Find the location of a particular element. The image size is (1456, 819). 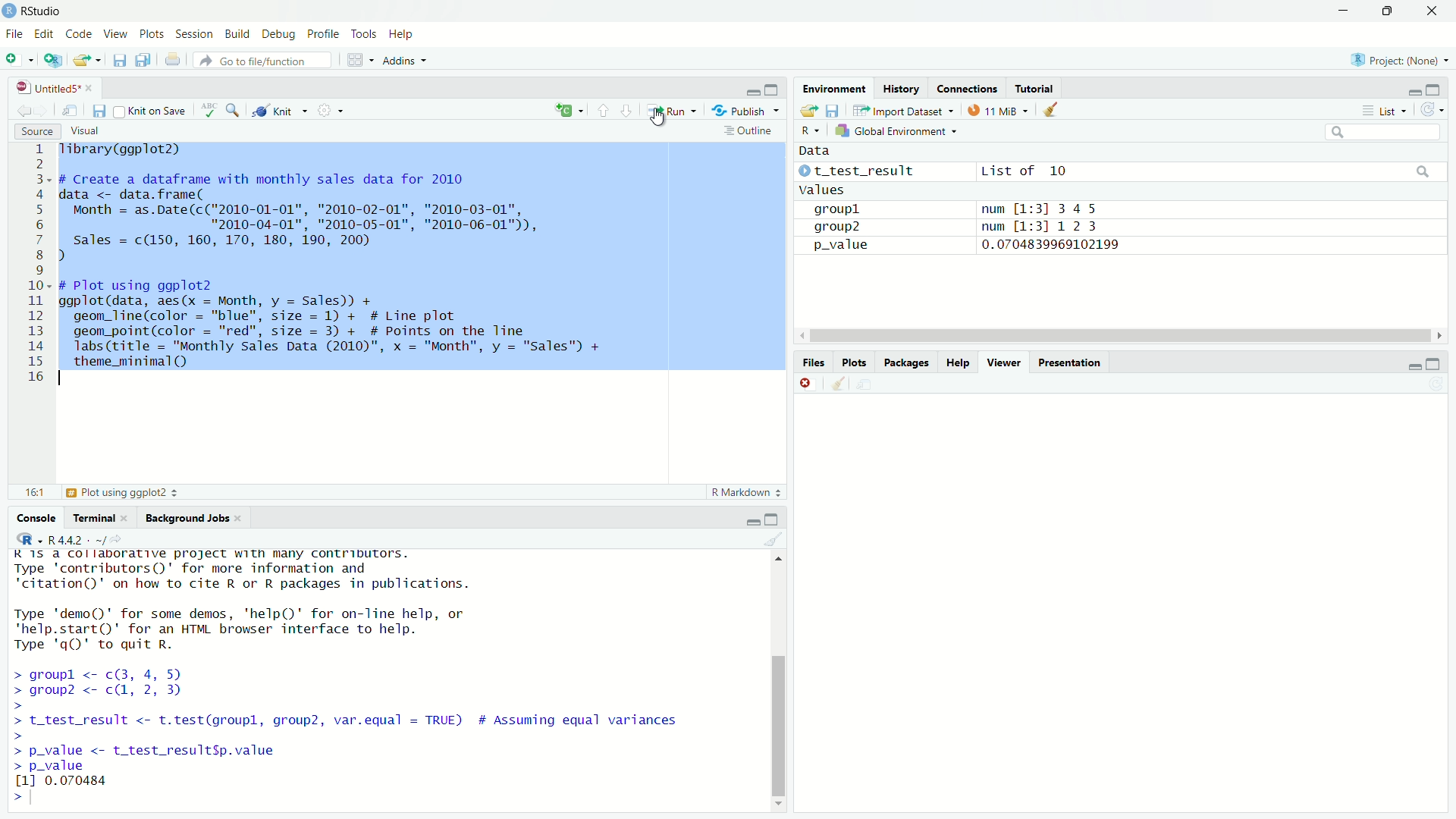

Plots is located at coordinates (152, 33).